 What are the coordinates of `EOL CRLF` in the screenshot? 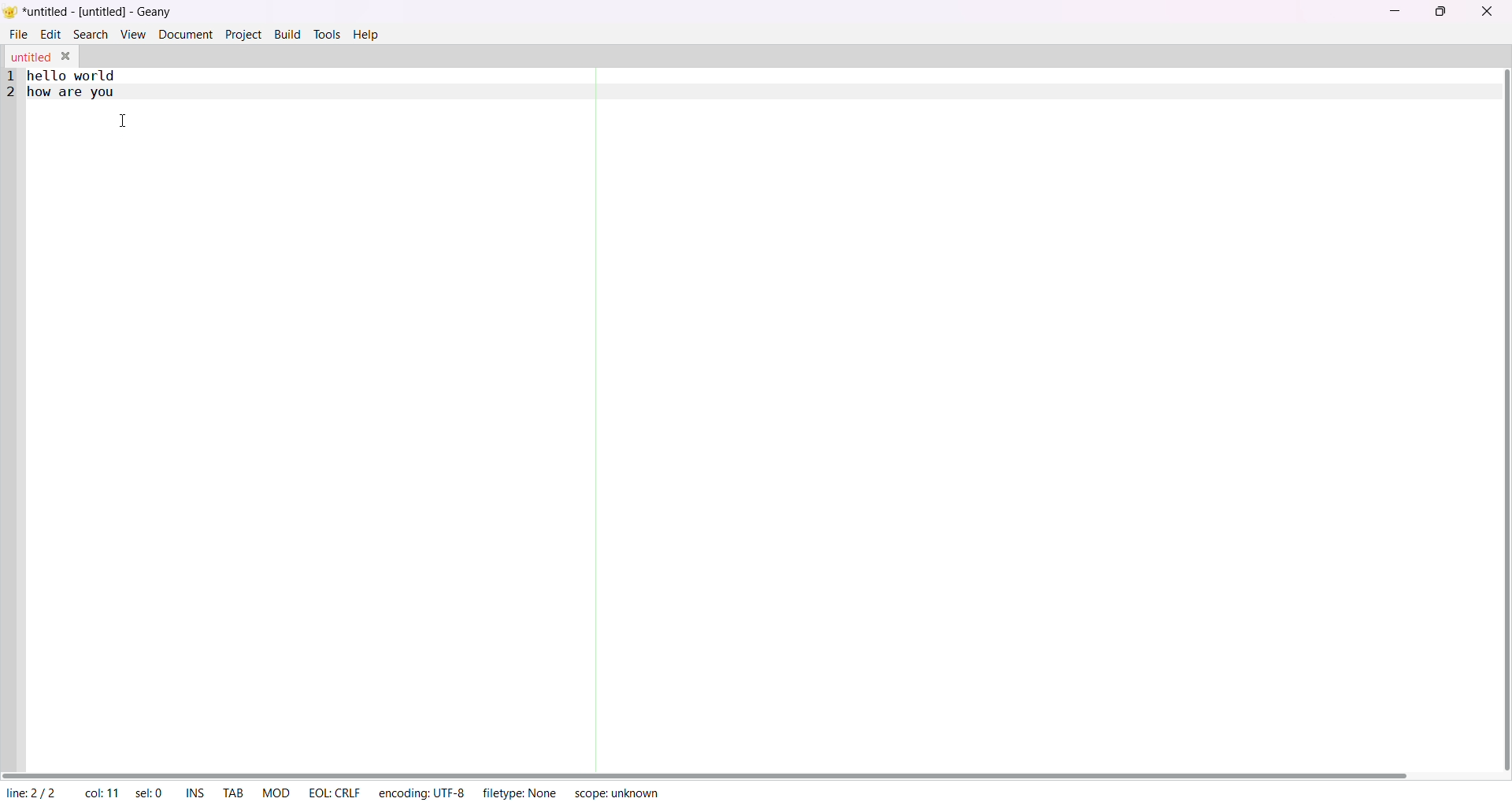 It's located at (333, 793).